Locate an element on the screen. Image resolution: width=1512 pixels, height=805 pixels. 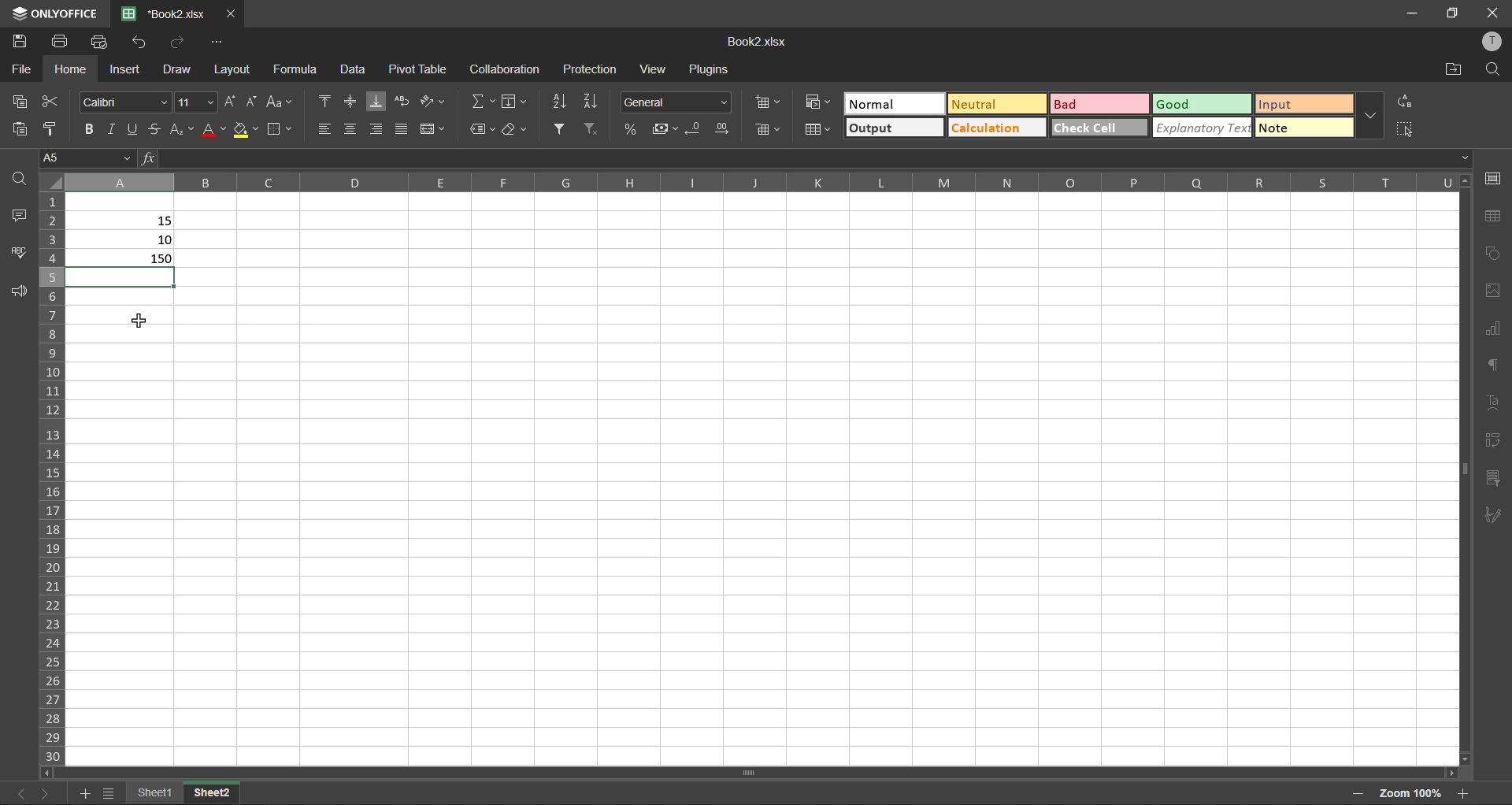
align bottom is located at coordinates (380, 100).